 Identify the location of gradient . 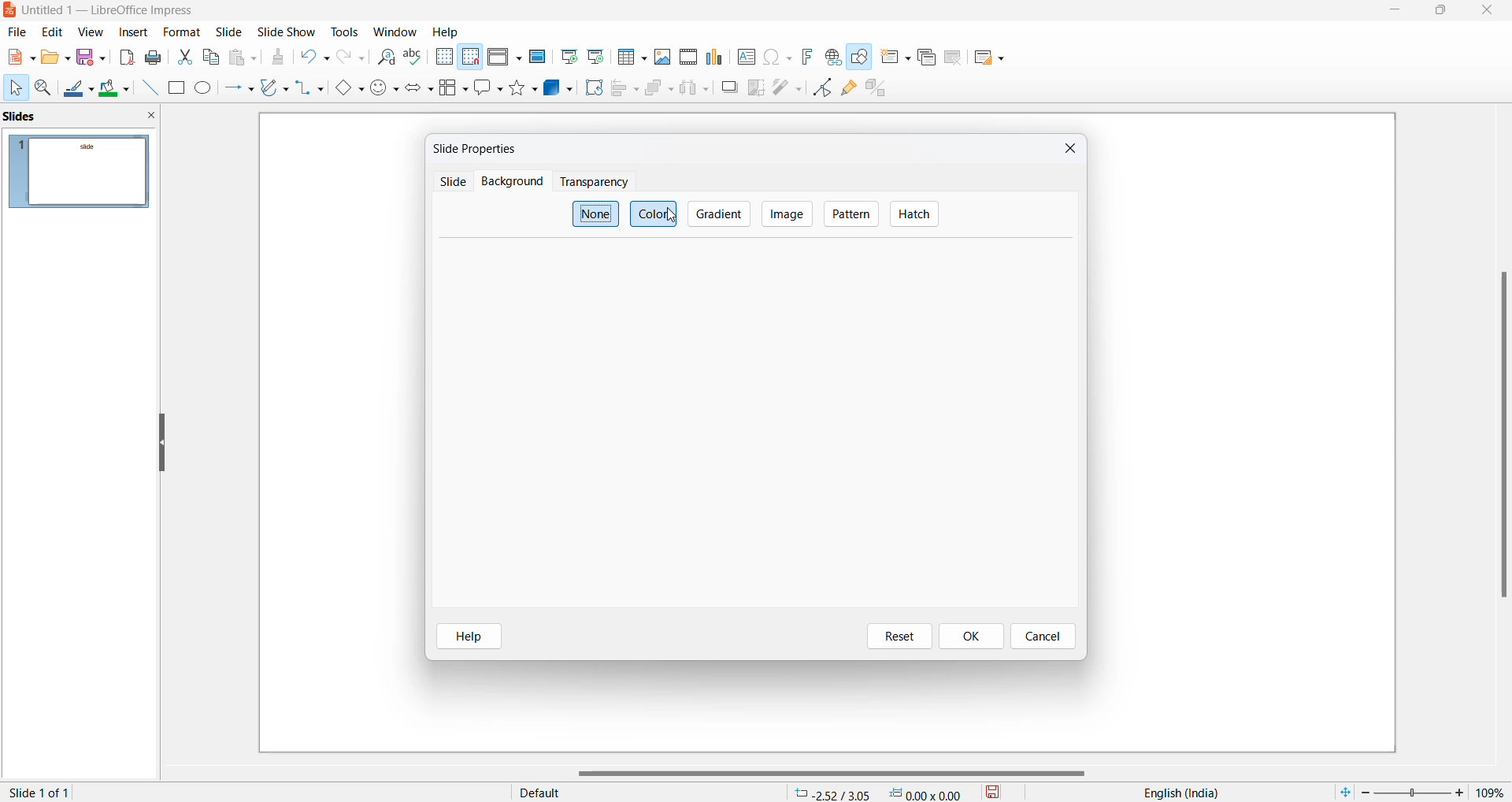
(721, 213).